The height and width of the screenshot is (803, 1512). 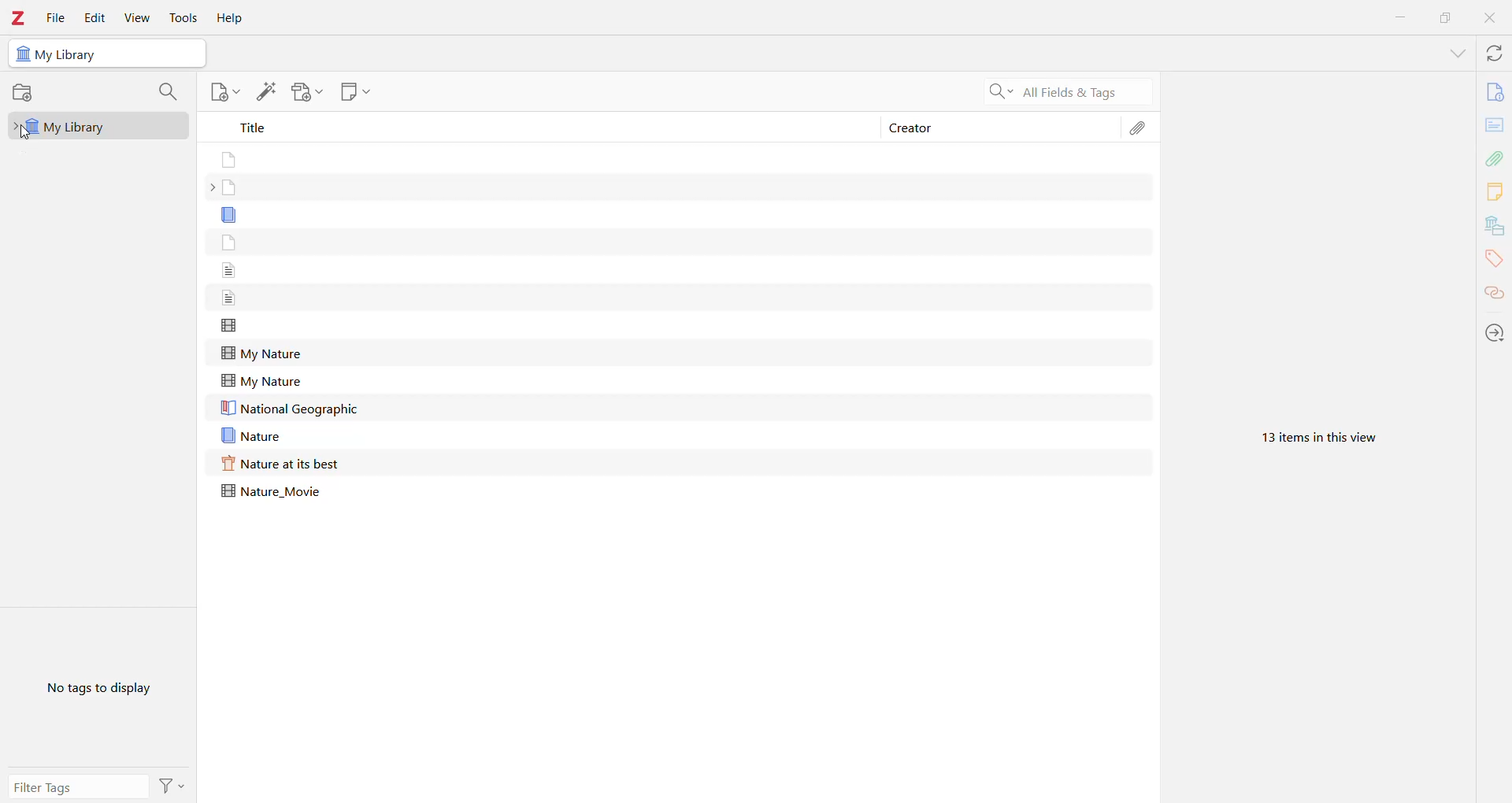 I want to click on Creator, so click(x=911, y=129).